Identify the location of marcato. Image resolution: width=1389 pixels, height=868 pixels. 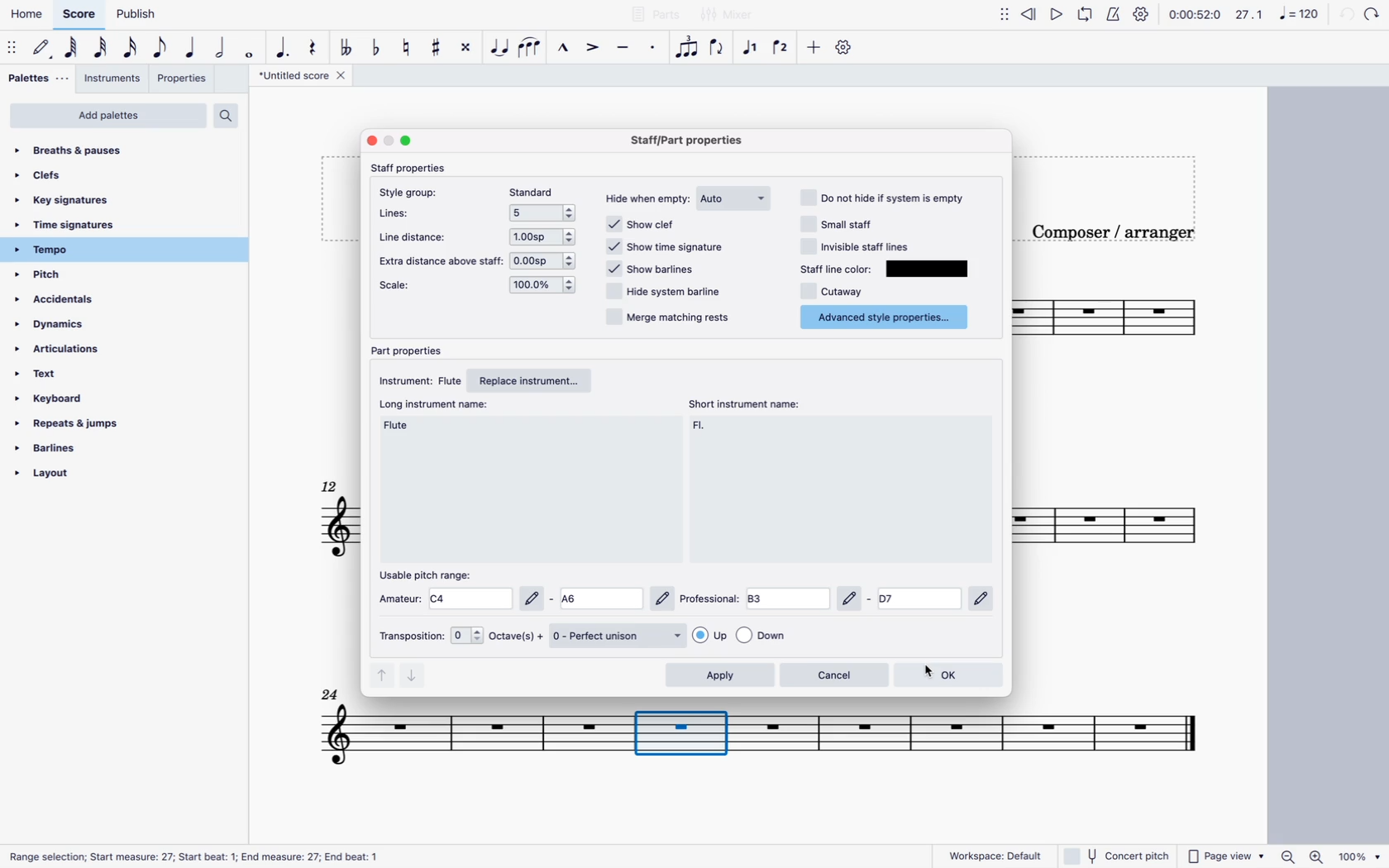
(564, 49).